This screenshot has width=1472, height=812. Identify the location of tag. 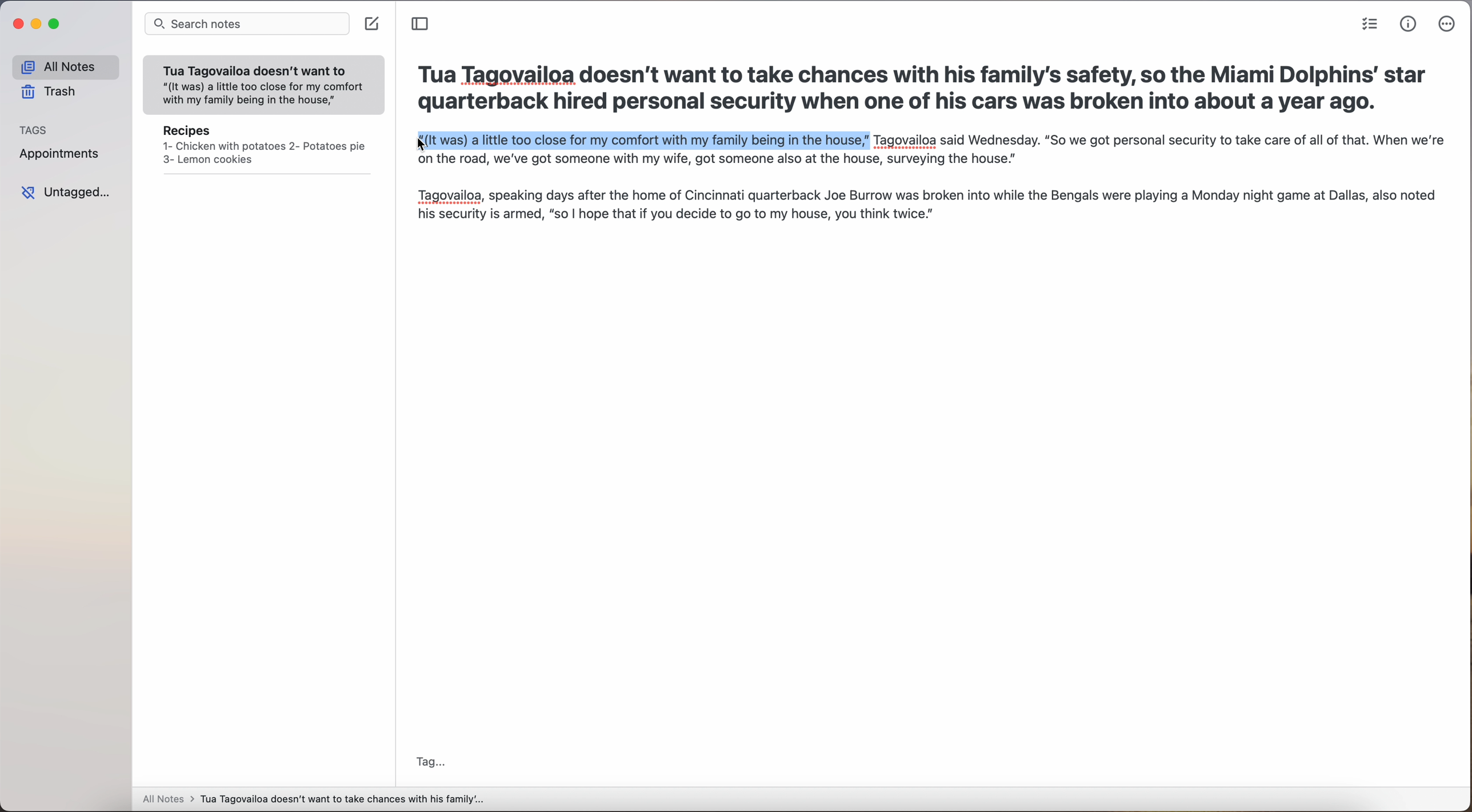
(431, 763).